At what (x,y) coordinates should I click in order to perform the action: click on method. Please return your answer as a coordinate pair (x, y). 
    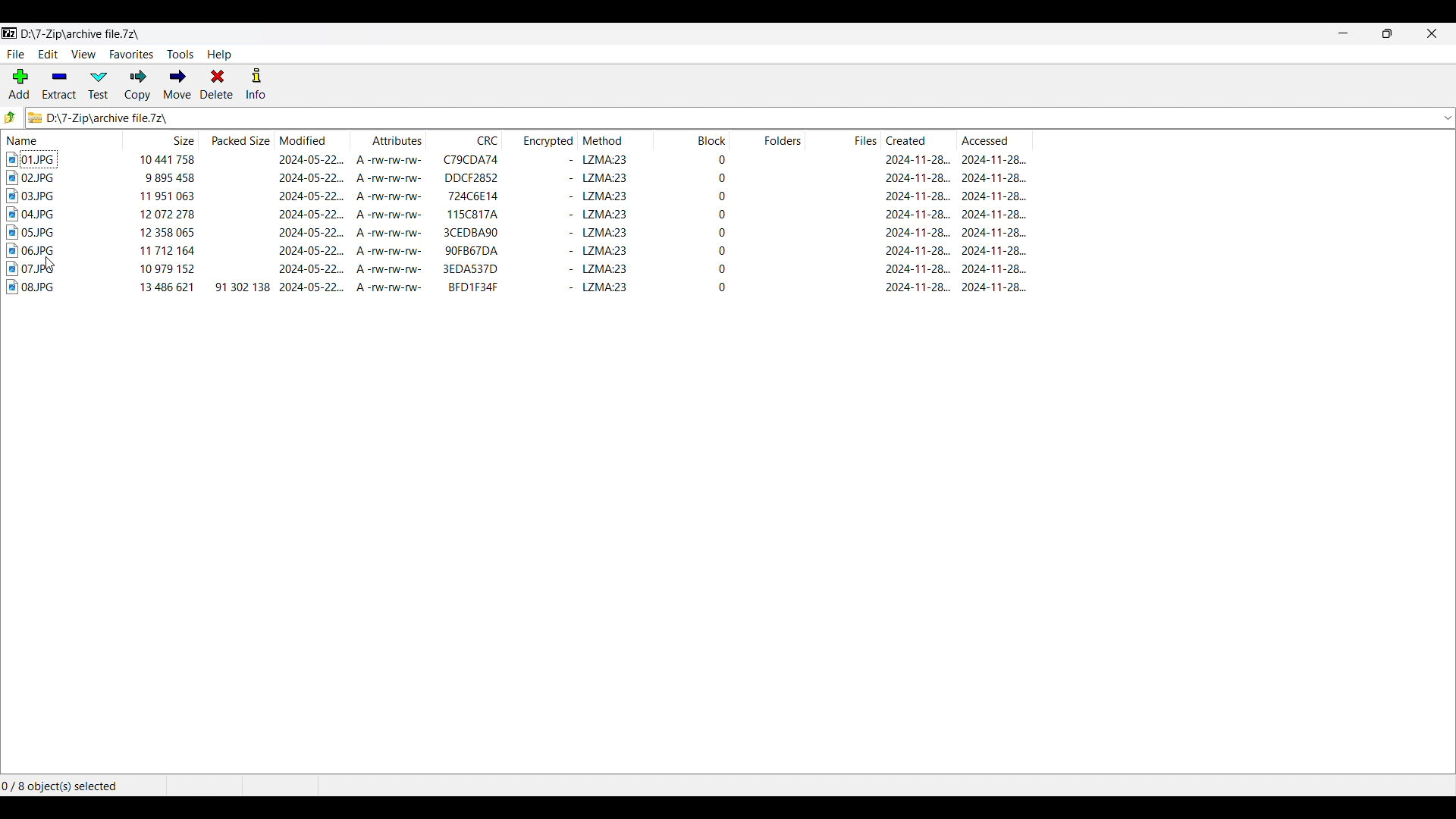
    Looking at the image, I should click on (604, 287).